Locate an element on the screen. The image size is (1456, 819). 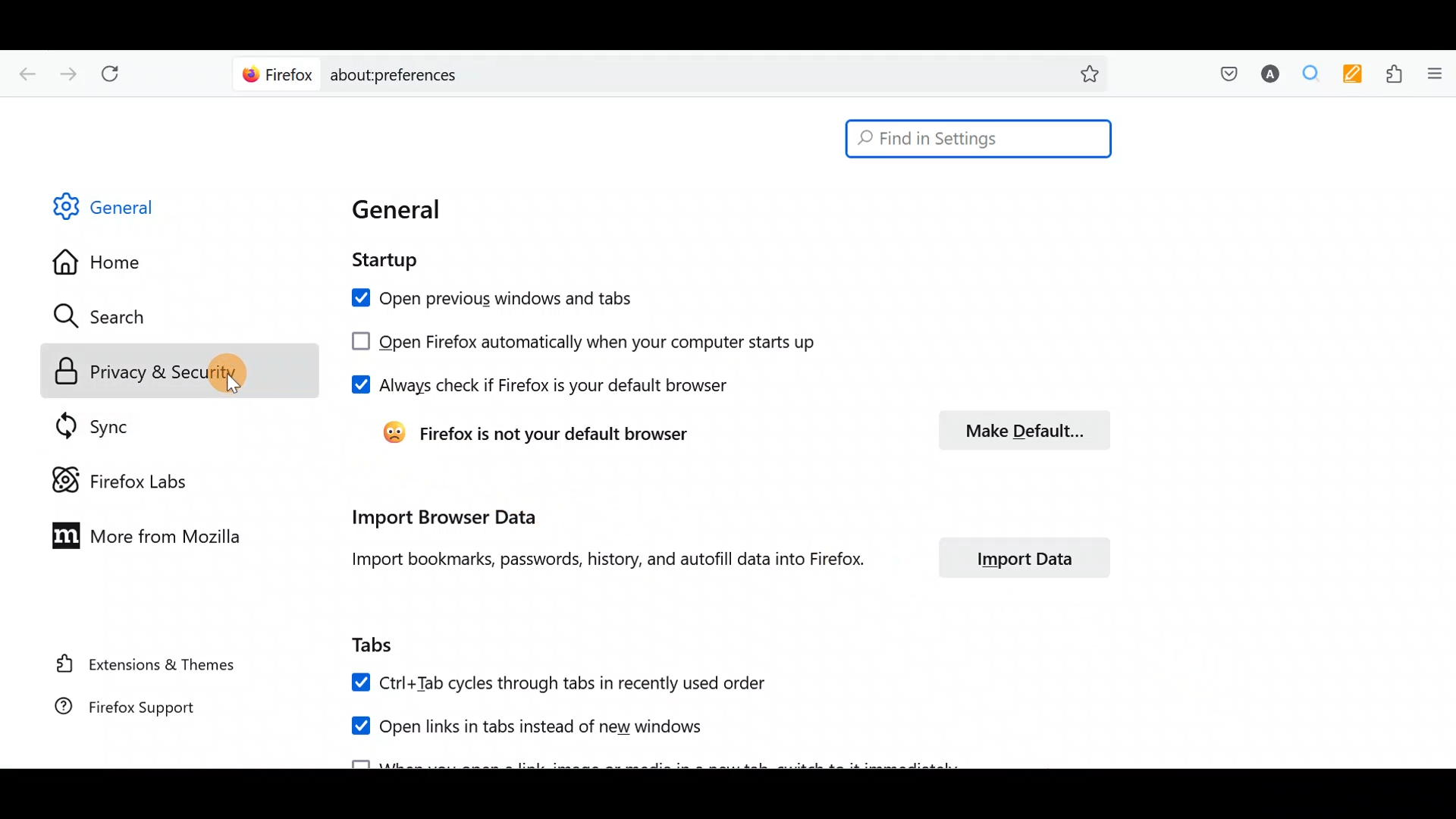
Firefox labs is located at coordinates (133, 479).